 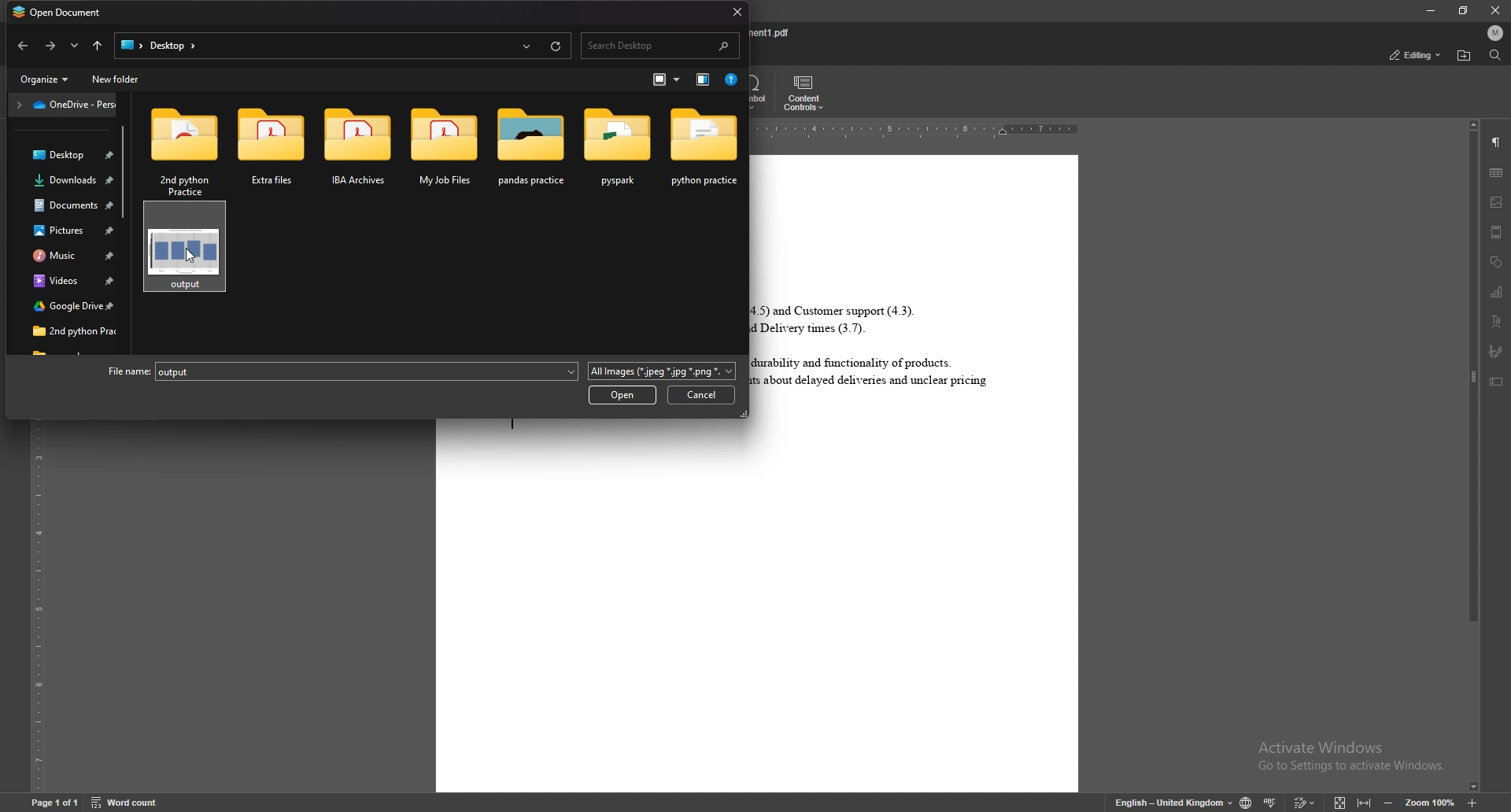 What do you see at coordinates (807, 93) in the screenshot?
I see `content controls` at bounding box center [807, 93].